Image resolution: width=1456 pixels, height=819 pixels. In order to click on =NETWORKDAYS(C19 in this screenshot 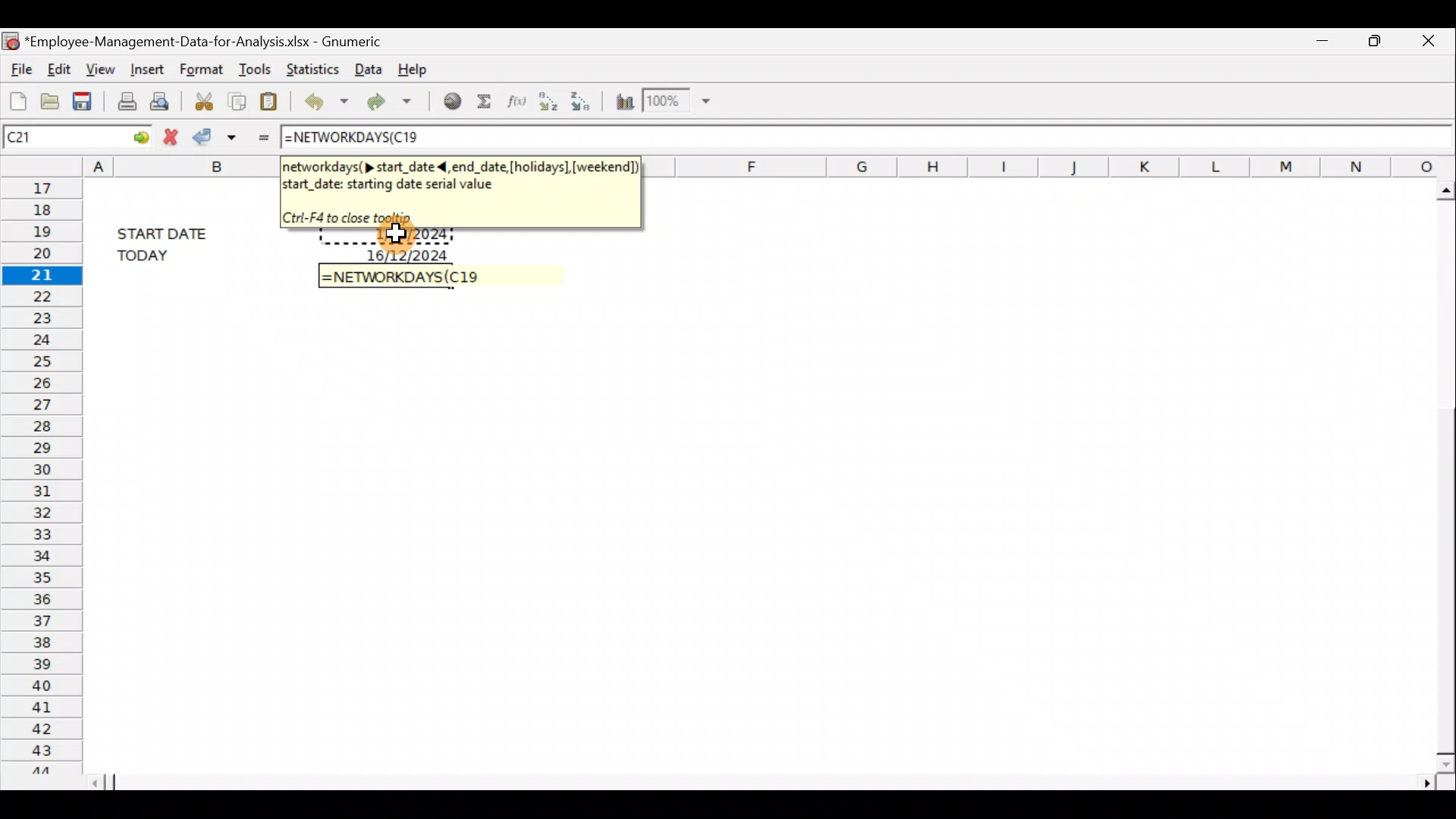, I will do `click(401, 276)`.